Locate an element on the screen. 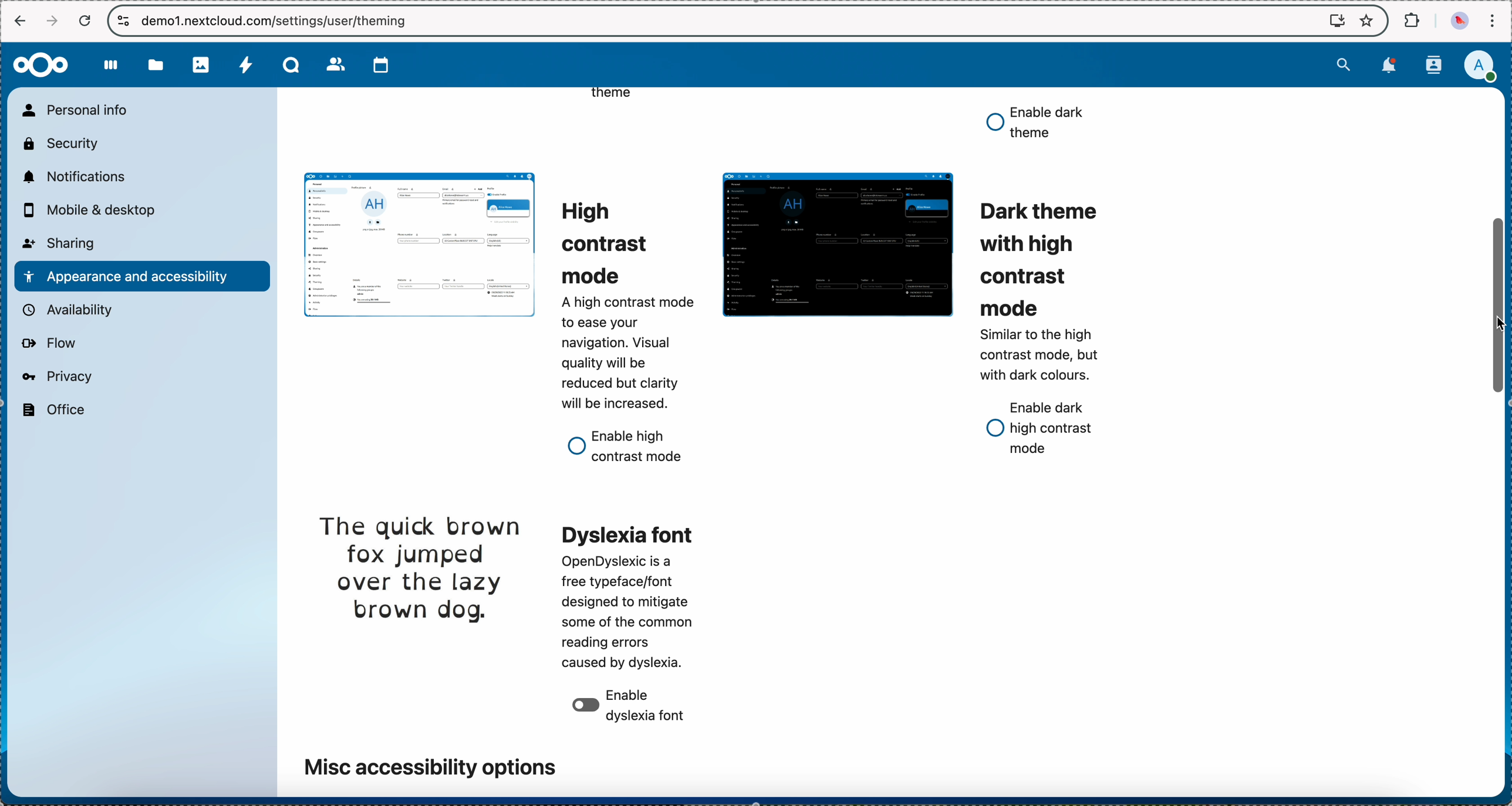  calendar is located at coordinates (376, 65).